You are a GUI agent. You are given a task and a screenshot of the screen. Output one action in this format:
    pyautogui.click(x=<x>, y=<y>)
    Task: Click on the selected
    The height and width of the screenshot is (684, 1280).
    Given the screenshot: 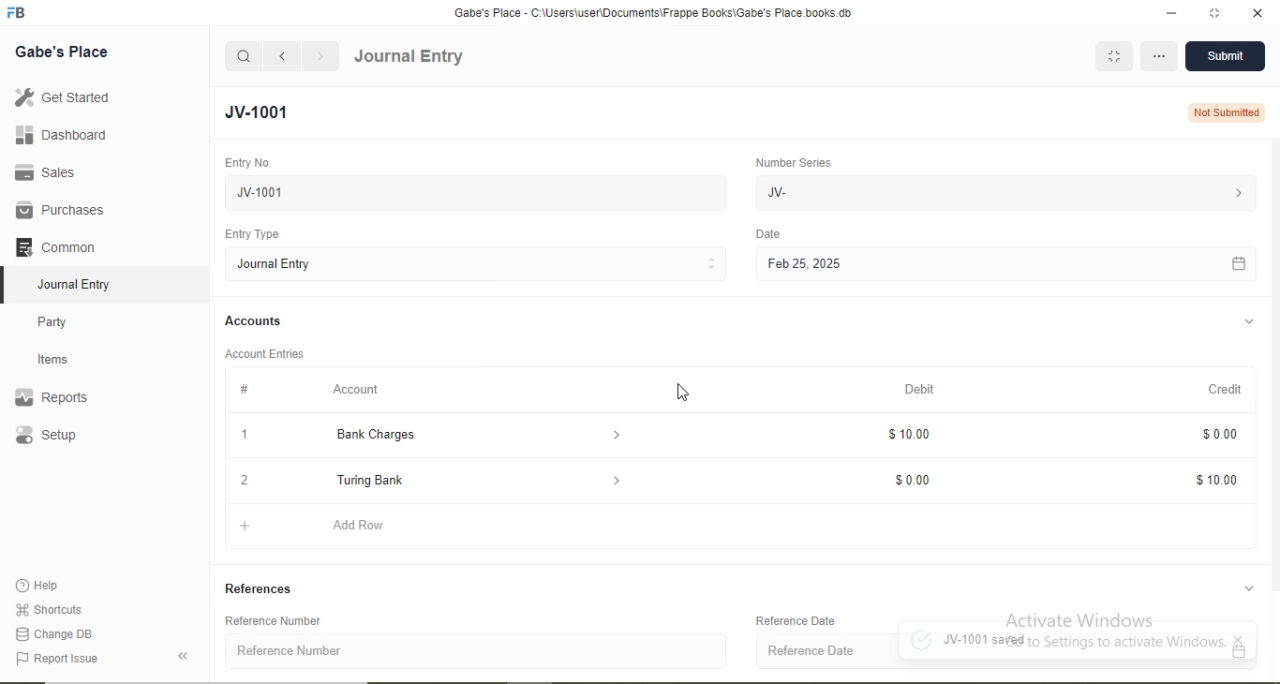 What is the action you would take?
    pyautogui.click(x=8, y=284)
    